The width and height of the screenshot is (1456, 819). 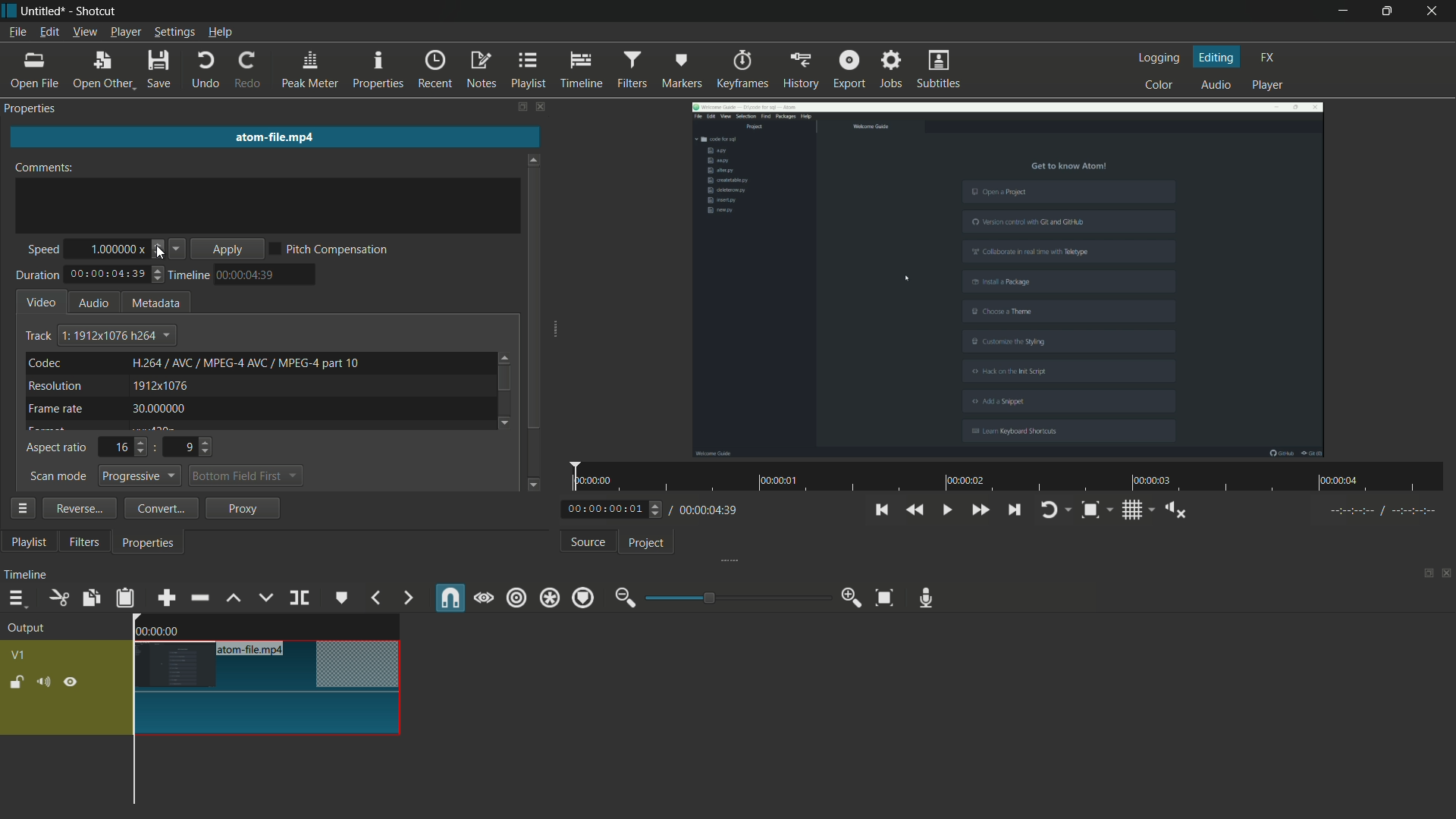 What do you see at coordinates (521, 106) in the screenshot?
I see `change layout` at bounding box center [521, 106].